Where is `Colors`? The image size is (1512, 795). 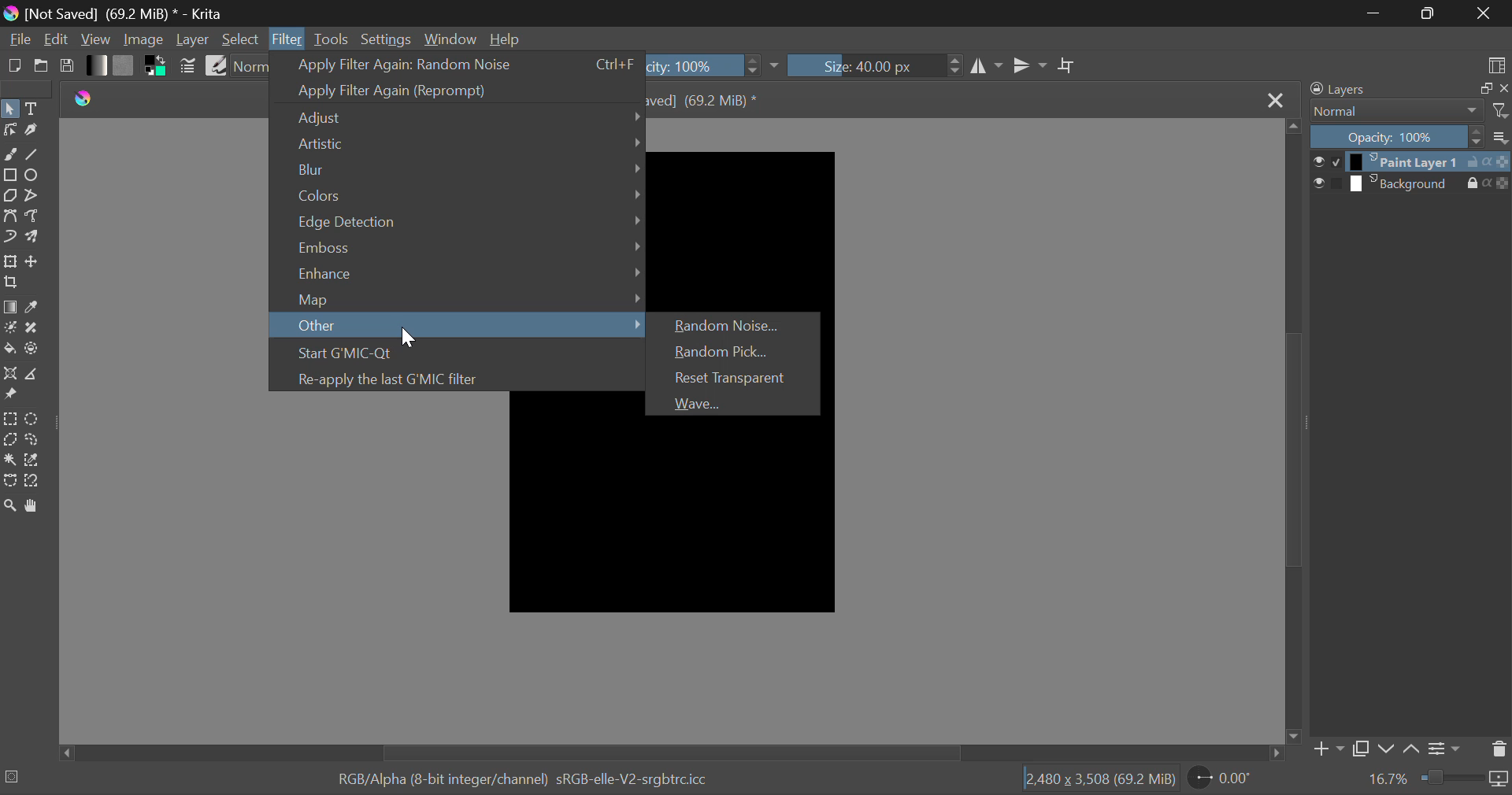
Colors is located at coordinates (461, 193).